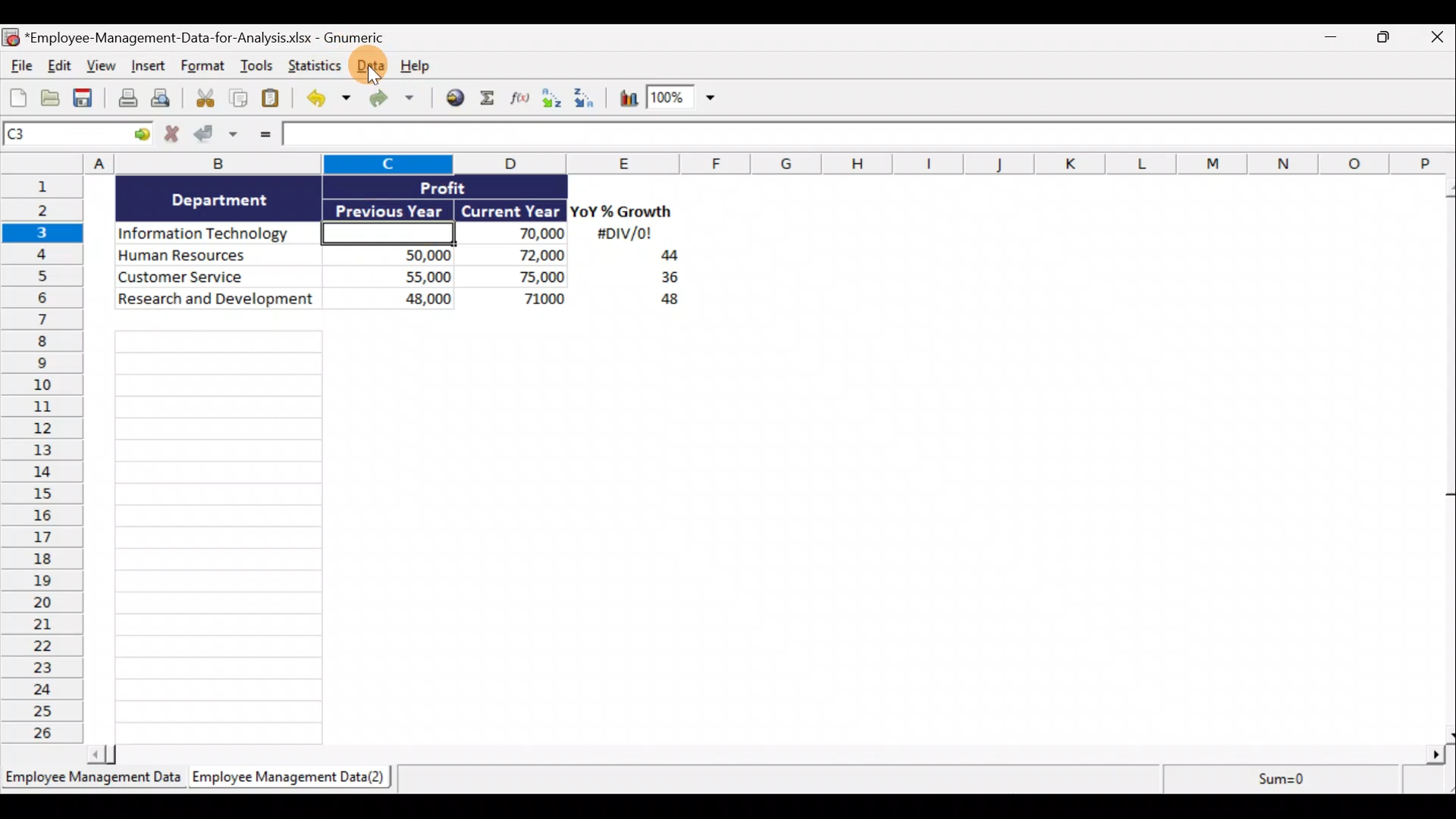  I want to click on Employee Management Data(2), so click(286, 780).